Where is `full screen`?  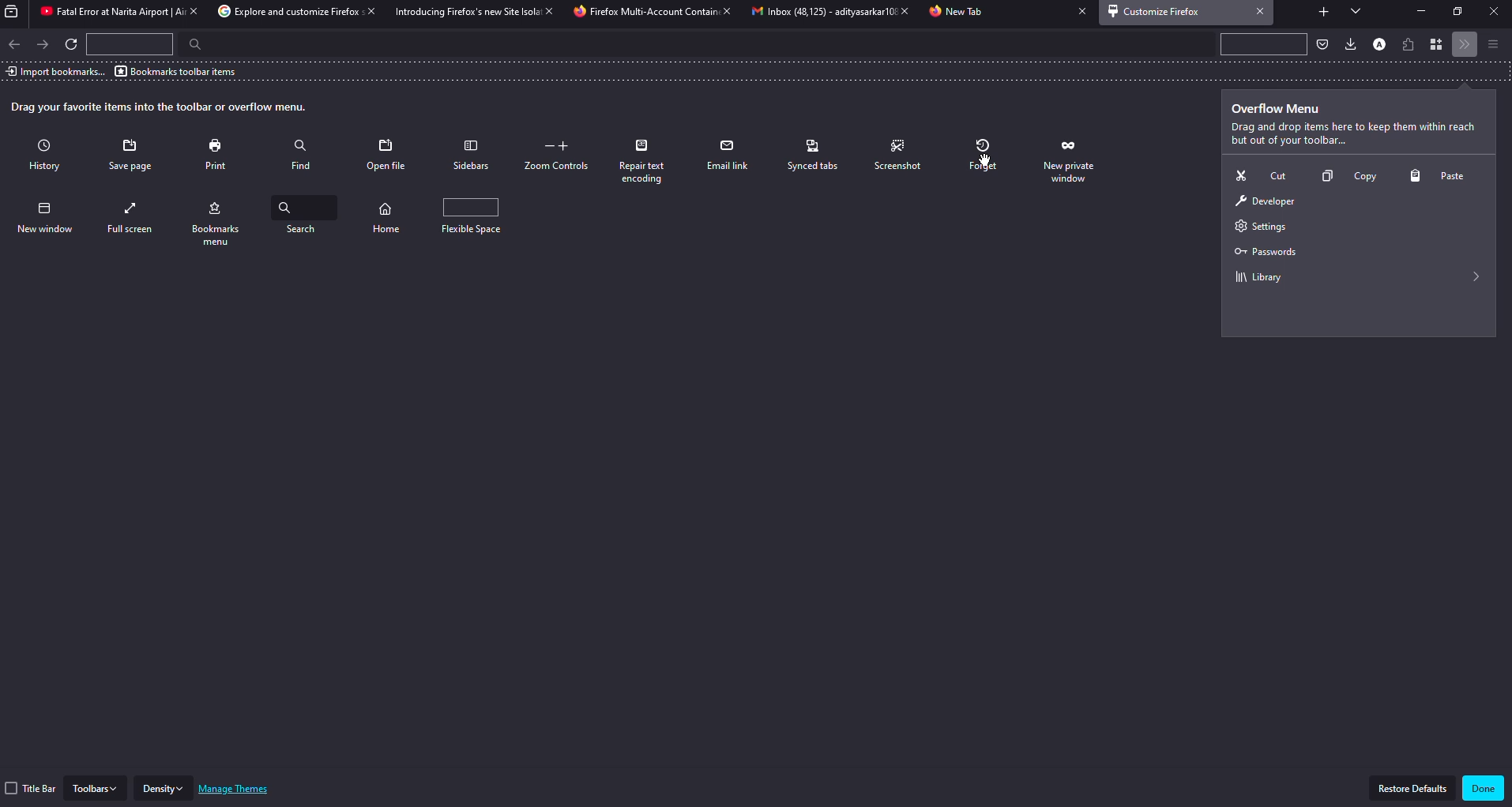
full screen is located at coordinates (135, 218).